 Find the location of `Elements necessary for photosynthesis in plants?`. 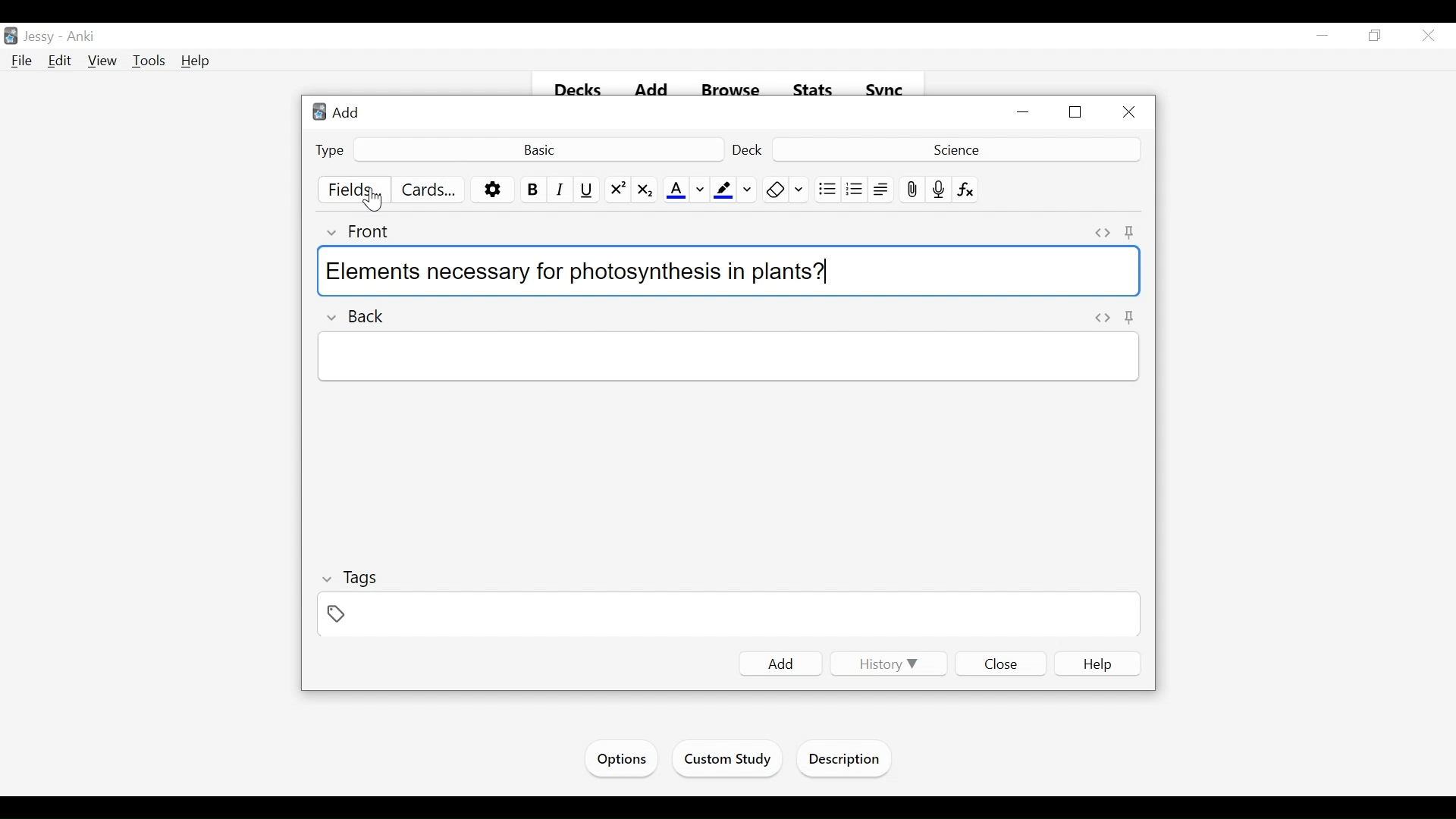

Elements necessary for photosynthesis in plants? is located at coordinates (727, 273).